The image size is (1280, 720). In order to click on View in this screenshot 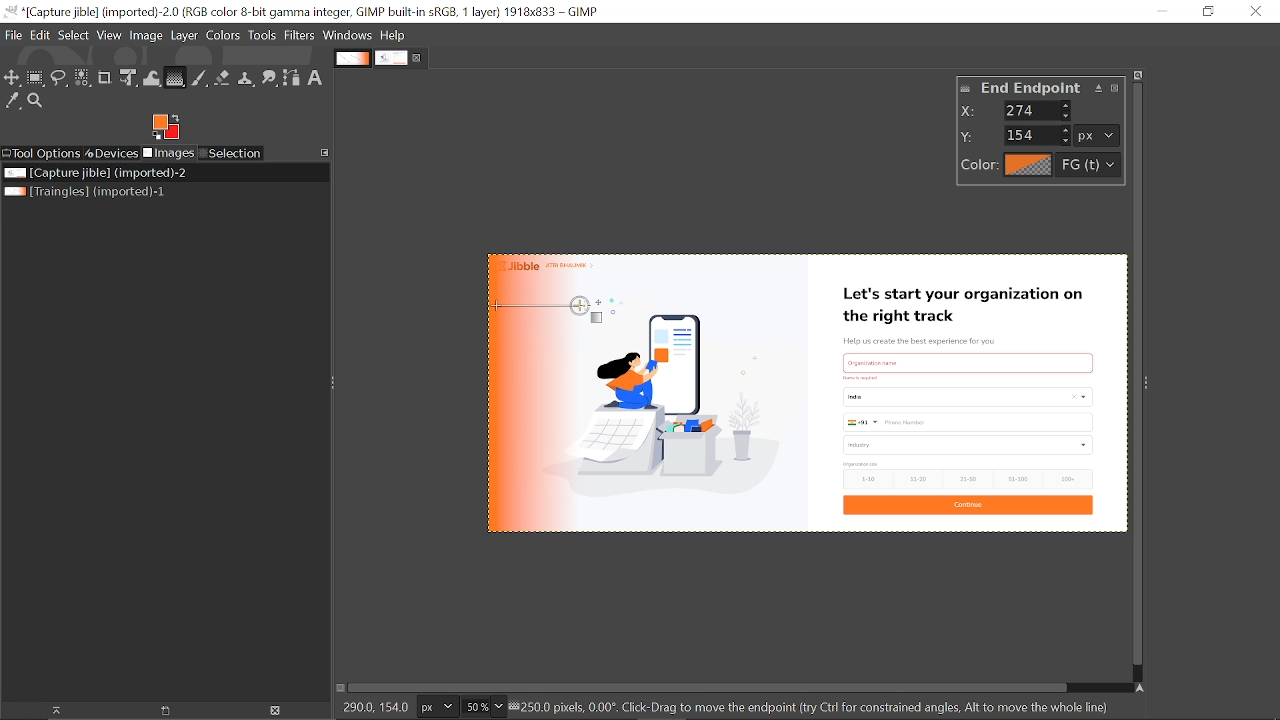, I will do `click(110, 35)`.